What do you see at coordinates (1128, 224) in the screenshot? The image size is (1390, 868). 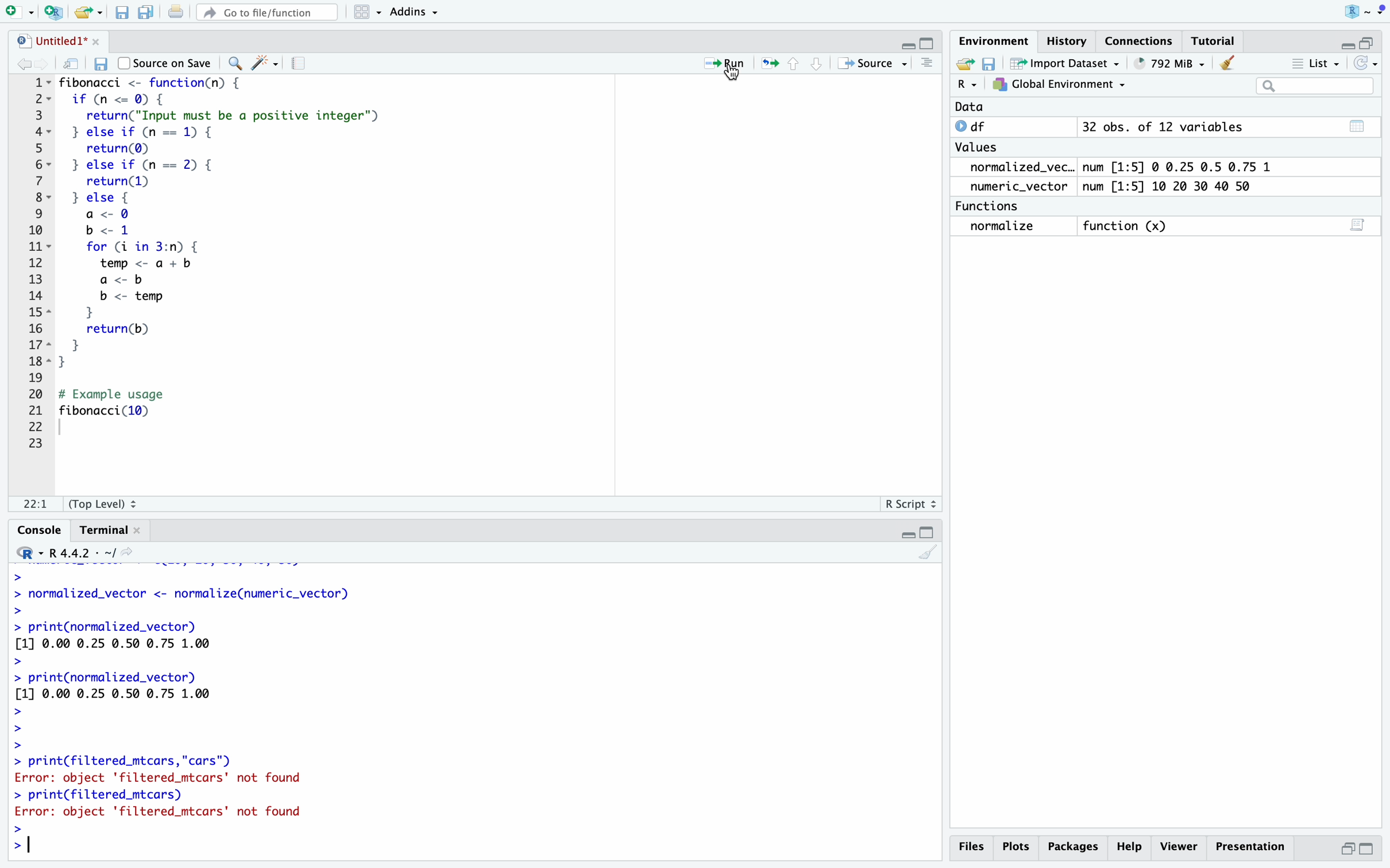 I see `function (x)` at bounding box center [1128, 224].